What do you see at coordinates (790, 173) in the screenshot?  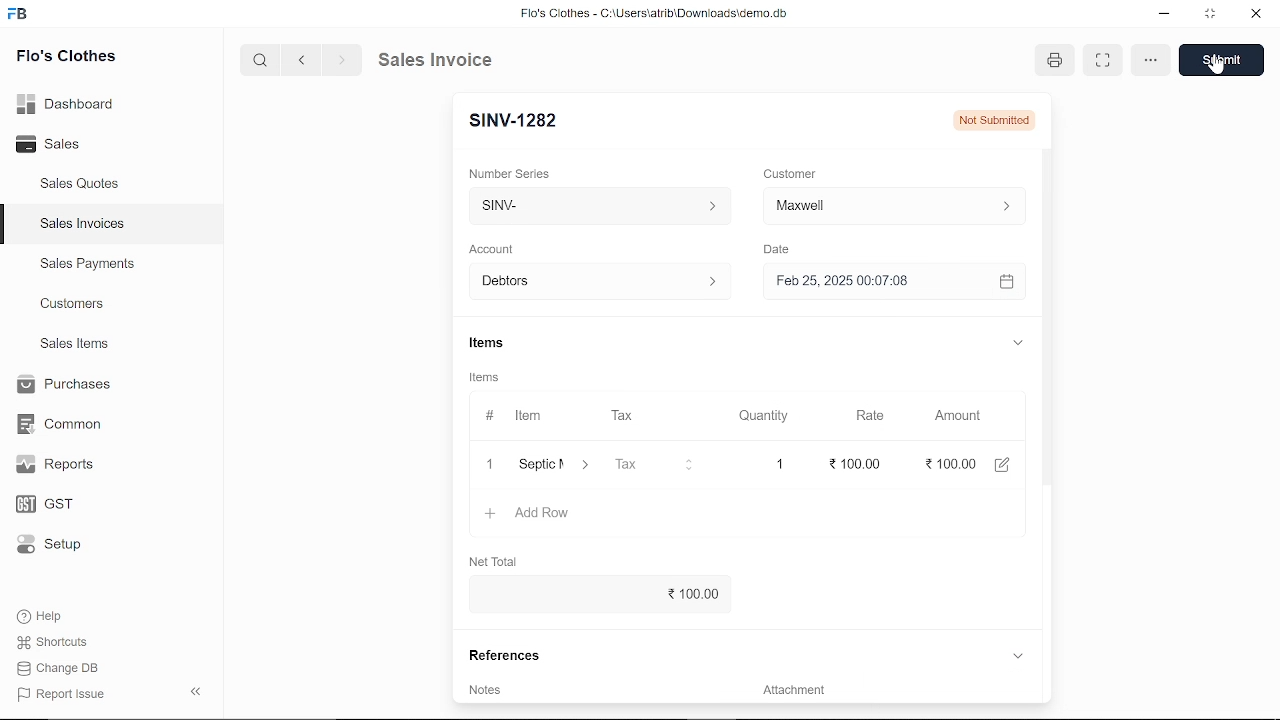 I see `Customer` at bounding box center [790, 173].